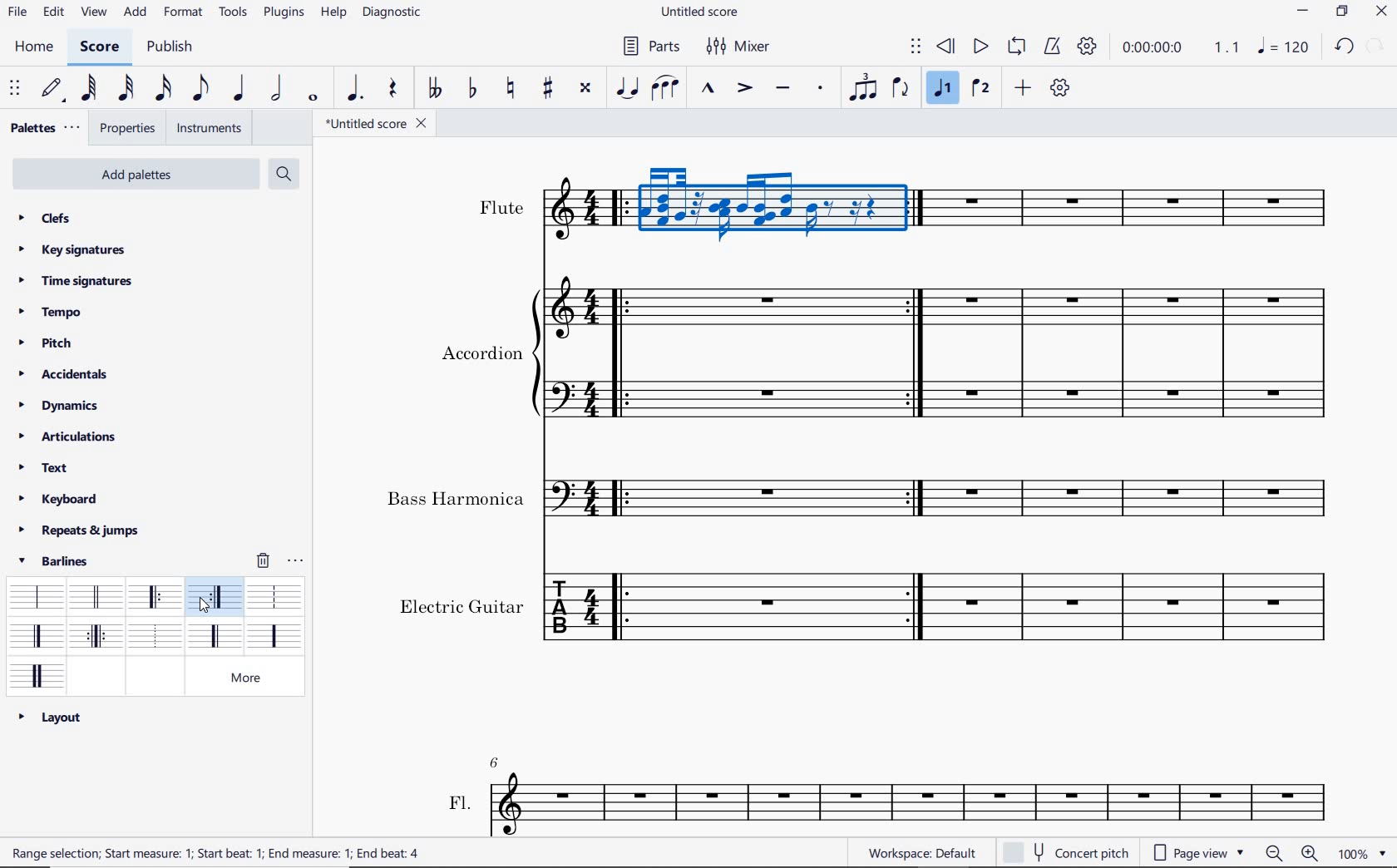  Describe the element at coordinates (68, 437) in the screenshot. I see `articulations` at that location.